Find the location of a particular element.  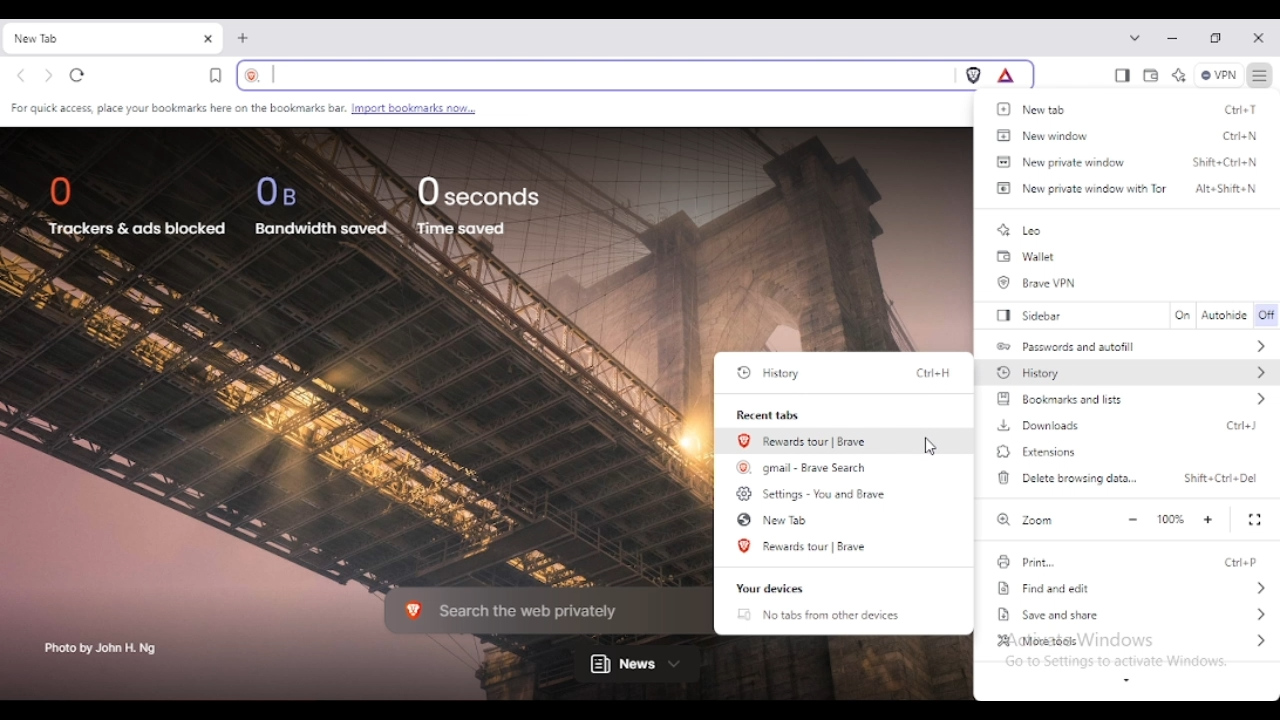

more tools is located at coordinates (1131, 640).